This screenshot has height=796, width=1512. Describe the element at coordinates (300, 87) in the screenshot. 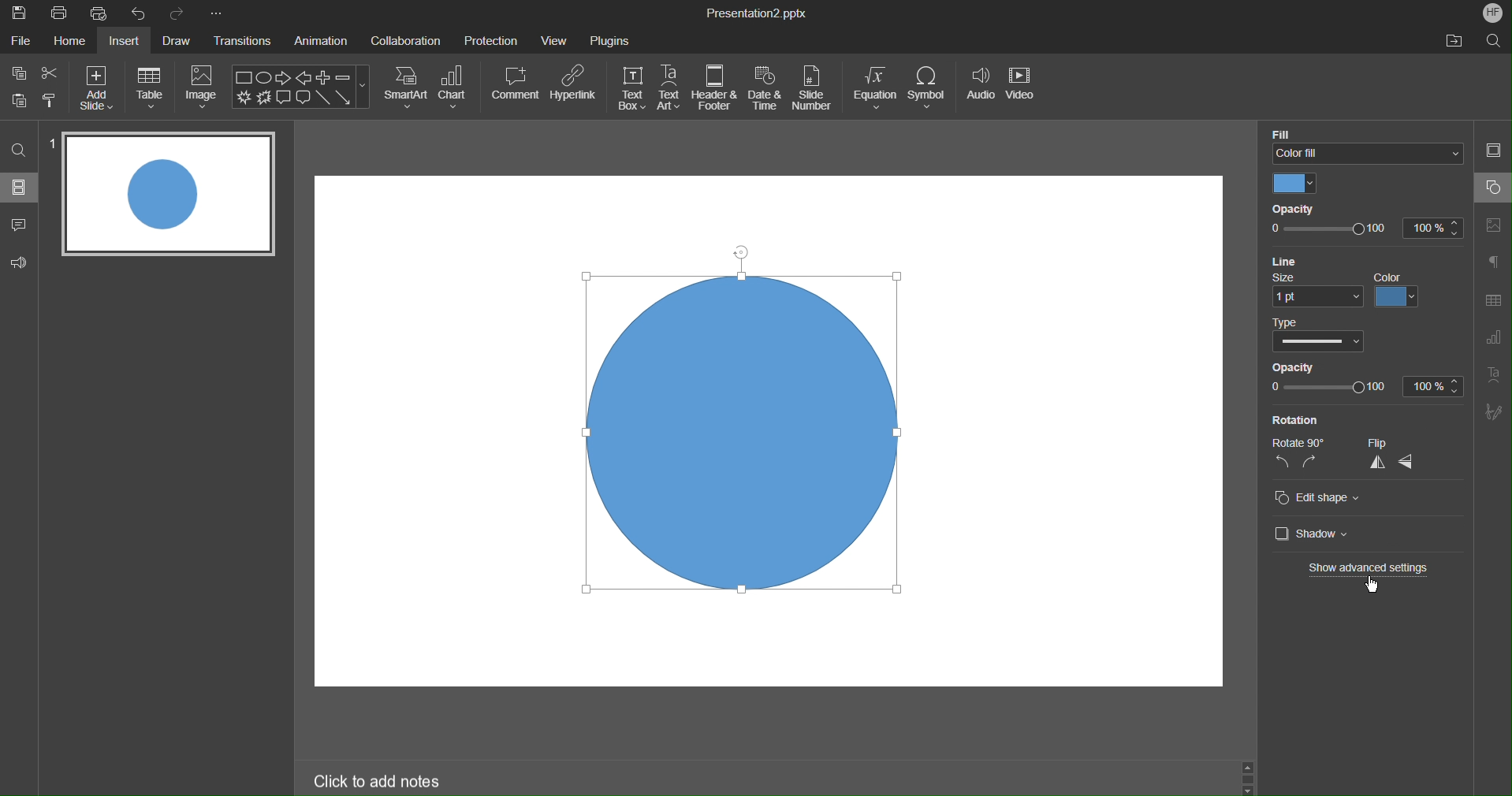

I see `Shape Menu` at that location.